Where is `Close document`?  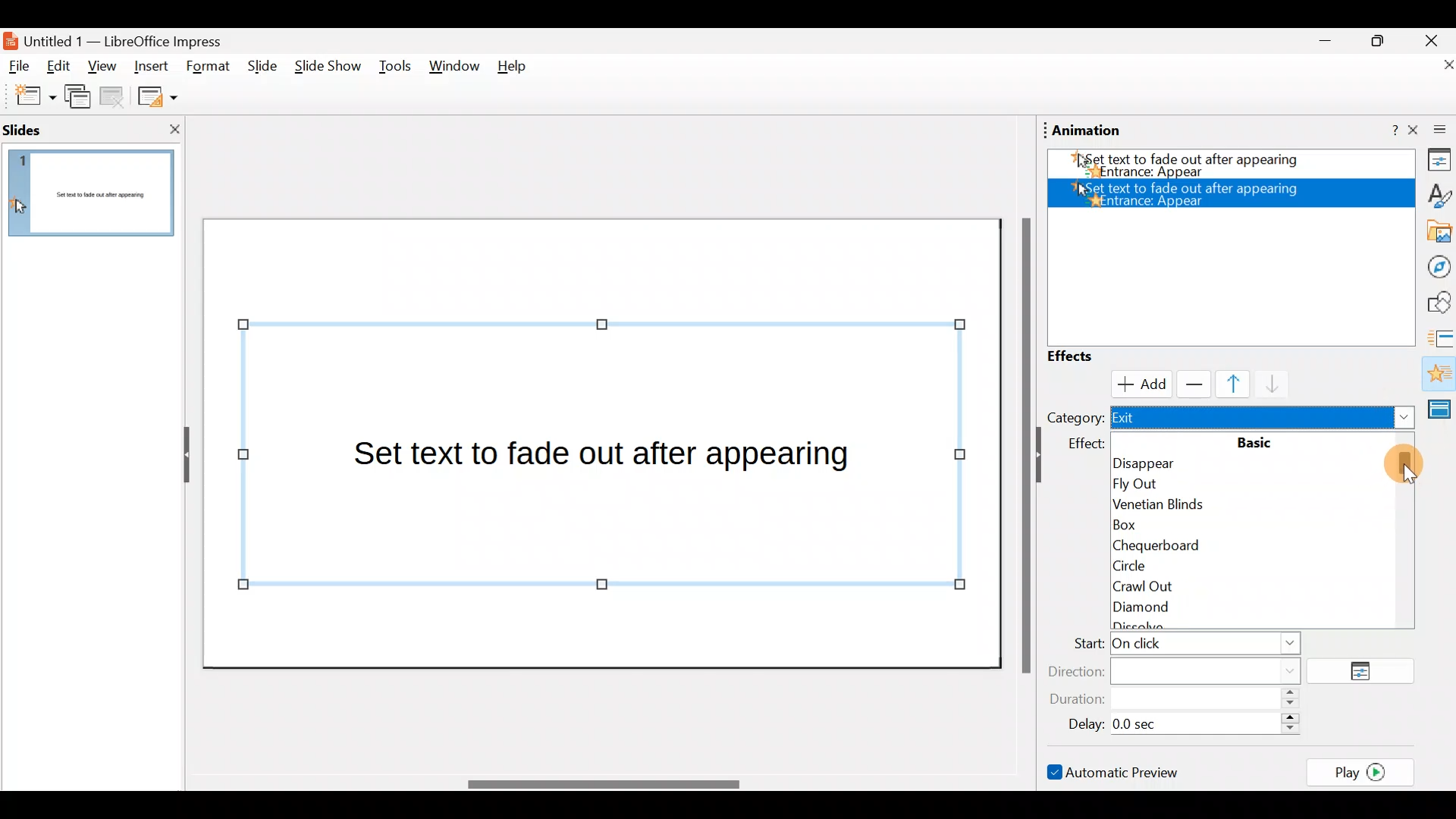
Close document is located at coordinates (1433, 66).